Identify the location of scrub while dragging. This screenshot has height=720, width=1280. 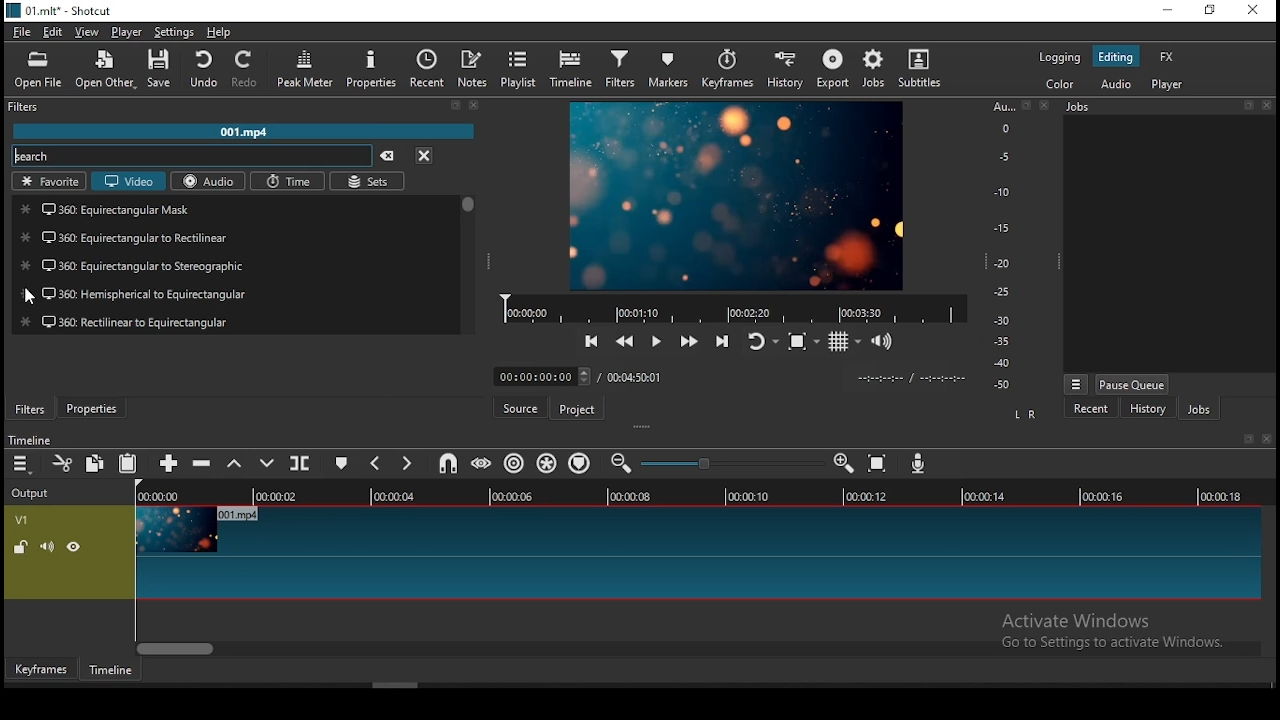
(483, 462).